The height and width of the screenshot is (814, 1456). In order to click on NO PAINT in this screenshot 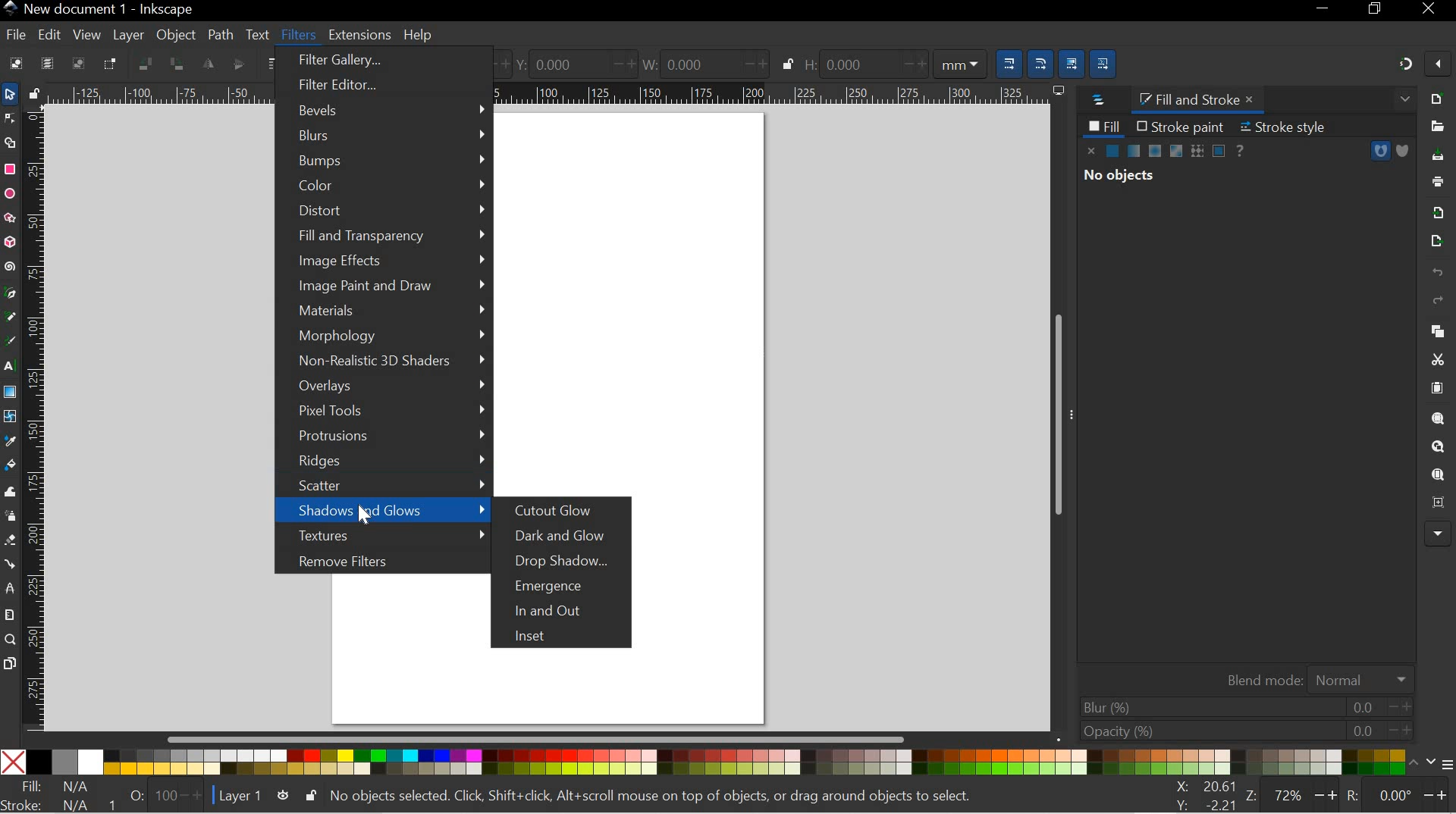, I will do `click(1092, 151)`.